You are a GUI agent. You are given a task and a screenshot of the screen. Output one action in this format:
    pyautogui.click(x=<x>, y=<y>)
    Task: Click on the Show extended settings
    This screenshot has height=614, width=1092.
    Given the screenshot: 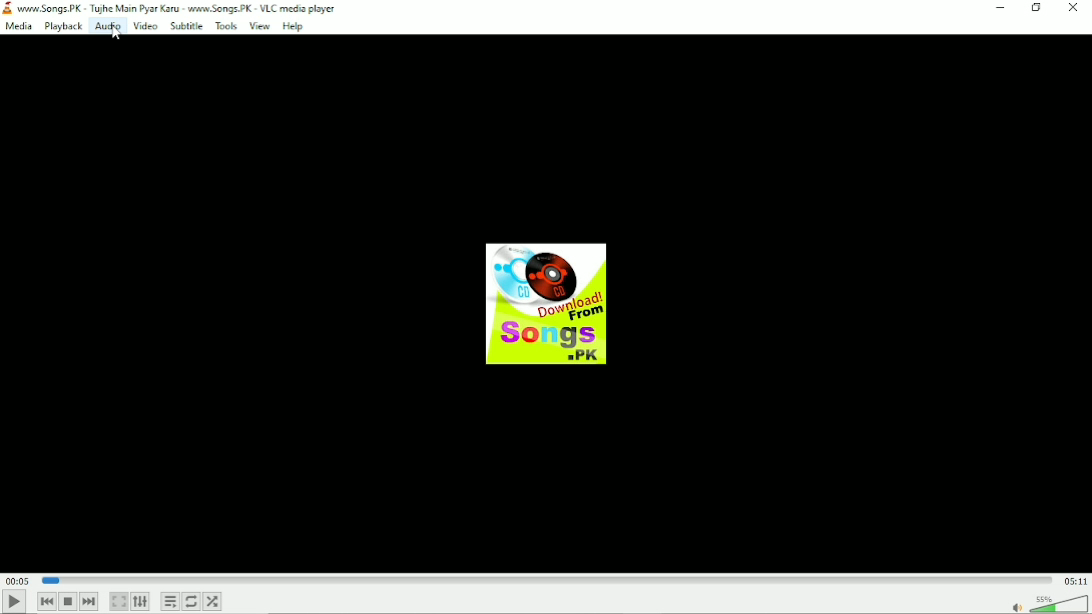 What is the action you would take?
    pyautogui.click(x=142, y=602)
    